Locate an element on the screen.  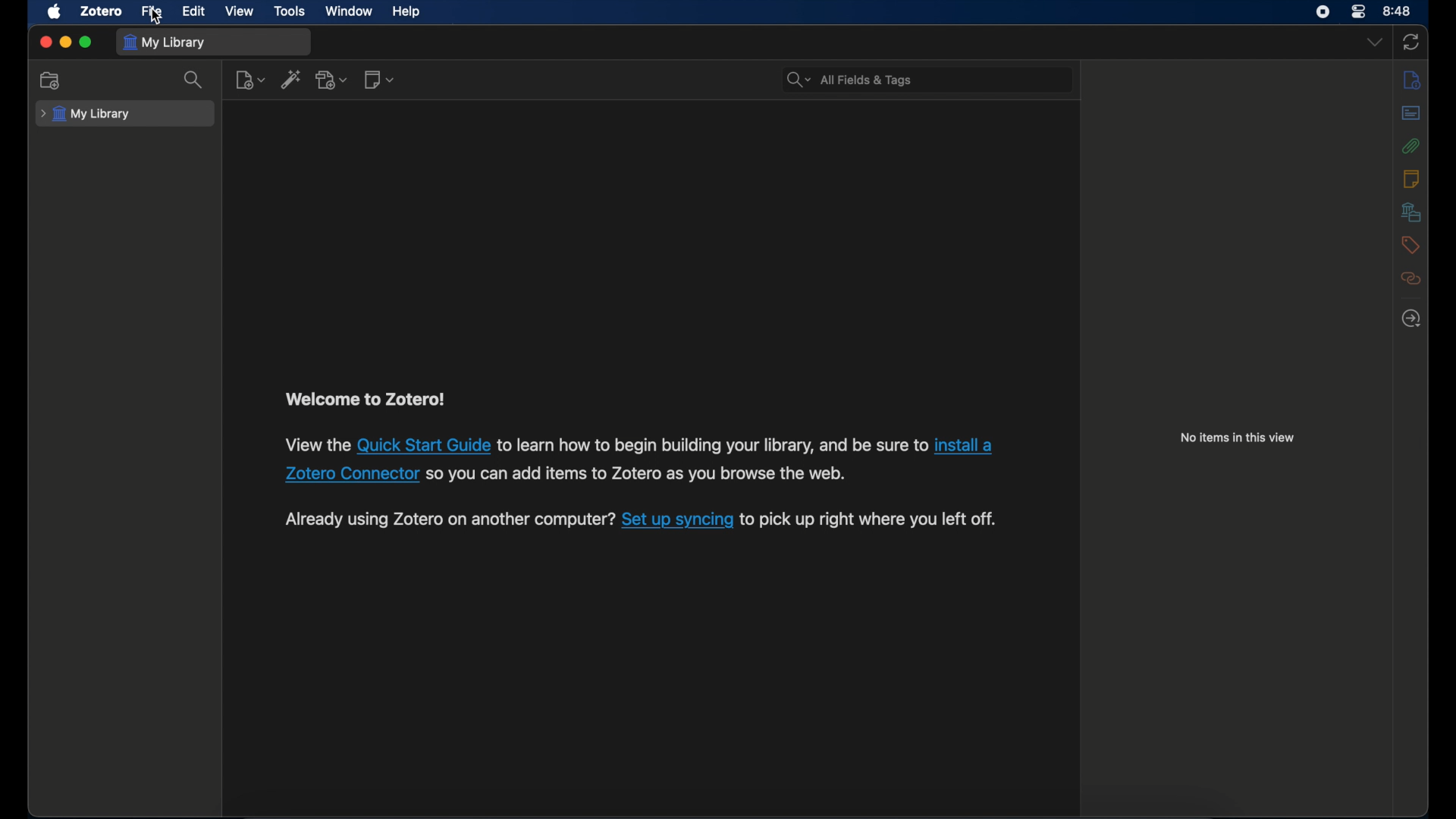
software information is located at coordinates (640, 476).